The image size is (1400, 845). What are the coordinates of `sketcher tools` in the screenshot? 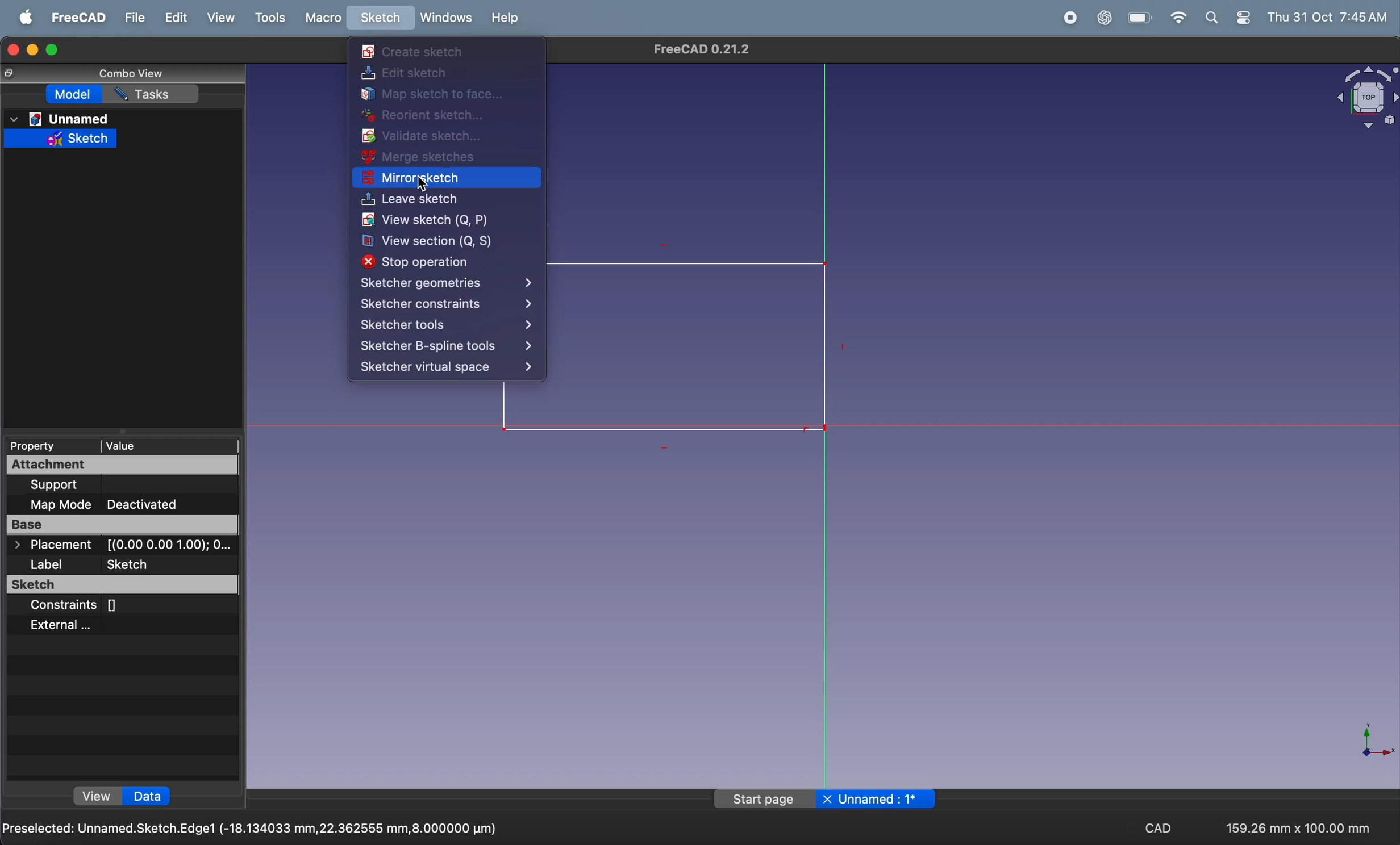 It's located at (447, 326).